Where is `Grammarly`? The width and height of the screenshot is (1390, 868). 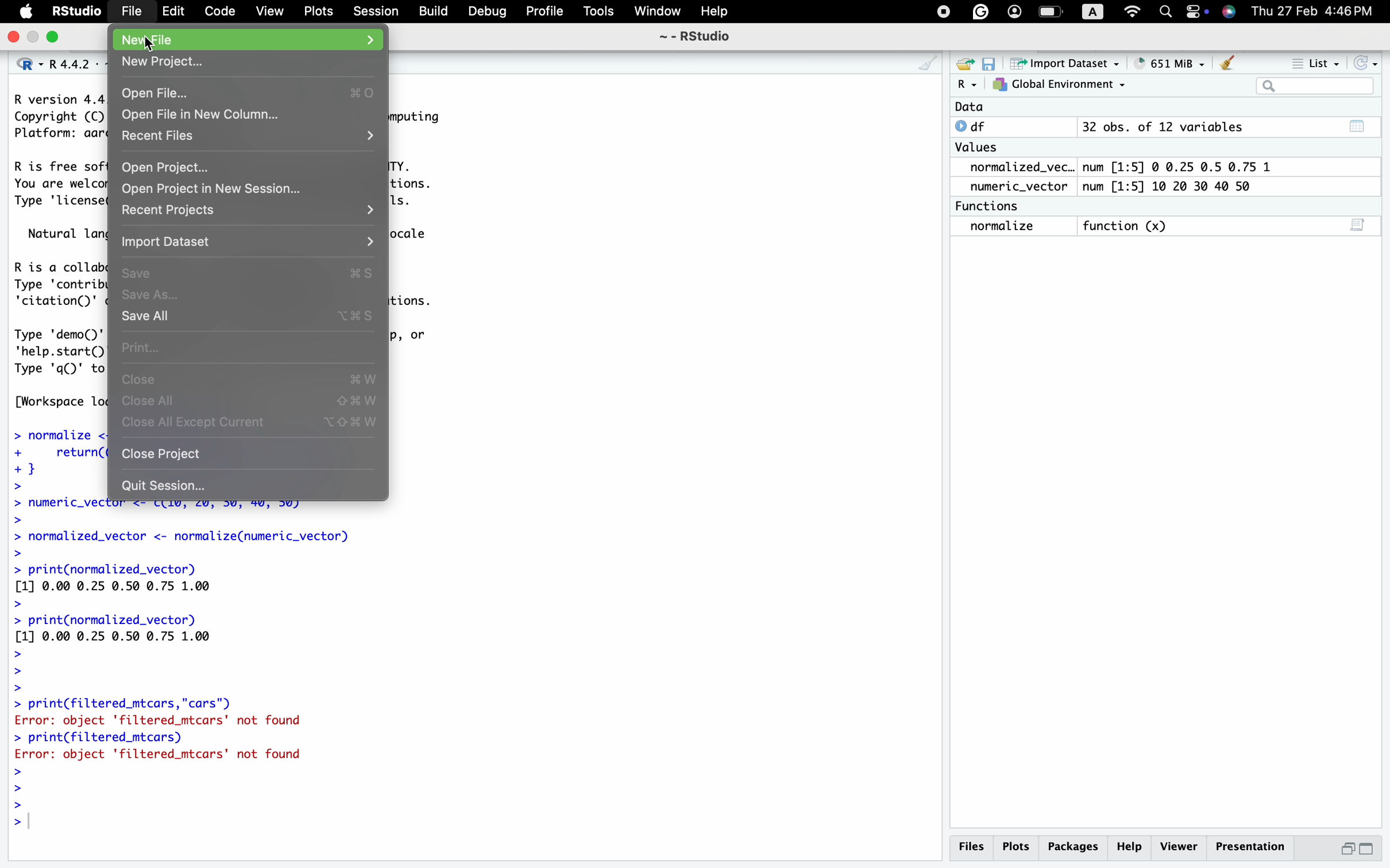 Grammarly is located at coordinates (985, 10).